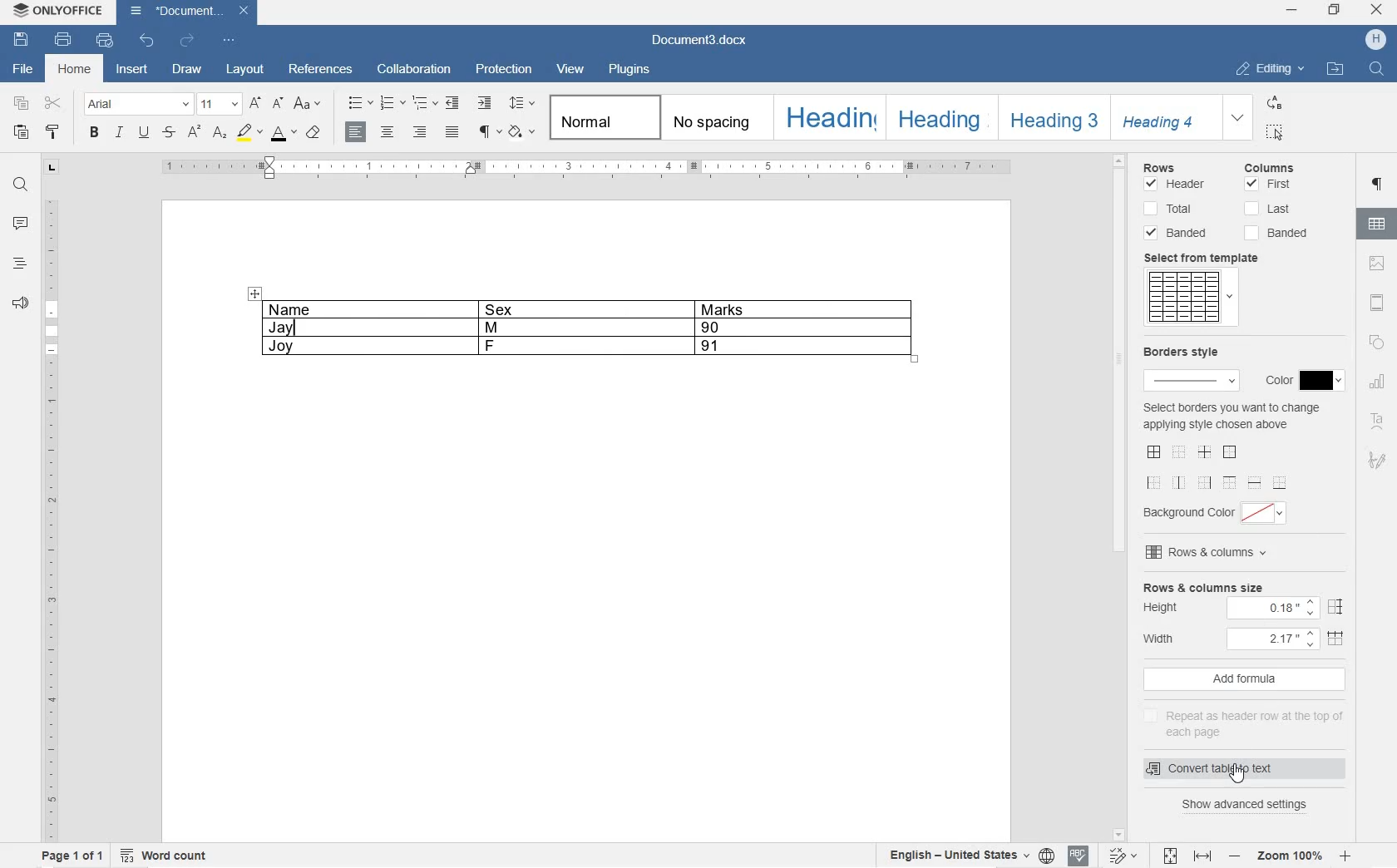 The height and width of the screenshot is (868, 1397). I want to click on PAGE 1 OF 1, so click(71, 855).